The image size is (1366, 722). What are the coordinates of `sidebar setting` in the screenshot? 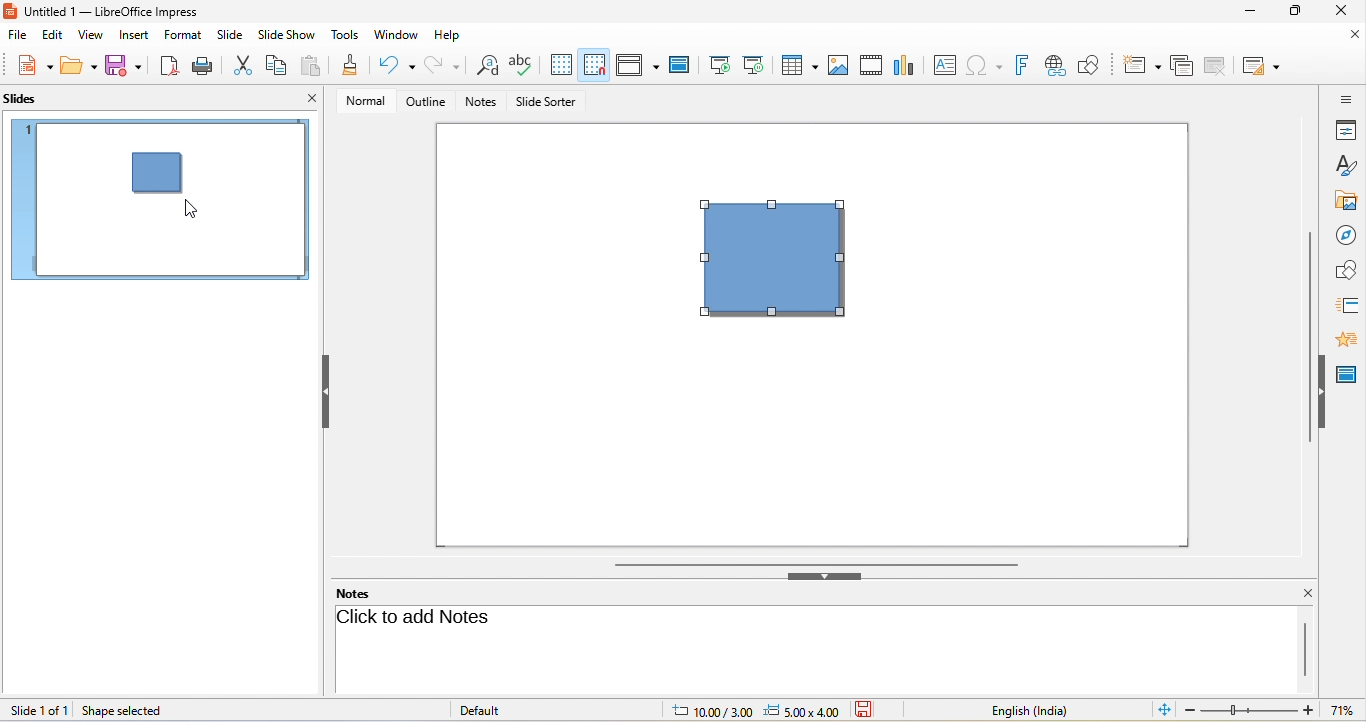 It's located at (1346, 99).